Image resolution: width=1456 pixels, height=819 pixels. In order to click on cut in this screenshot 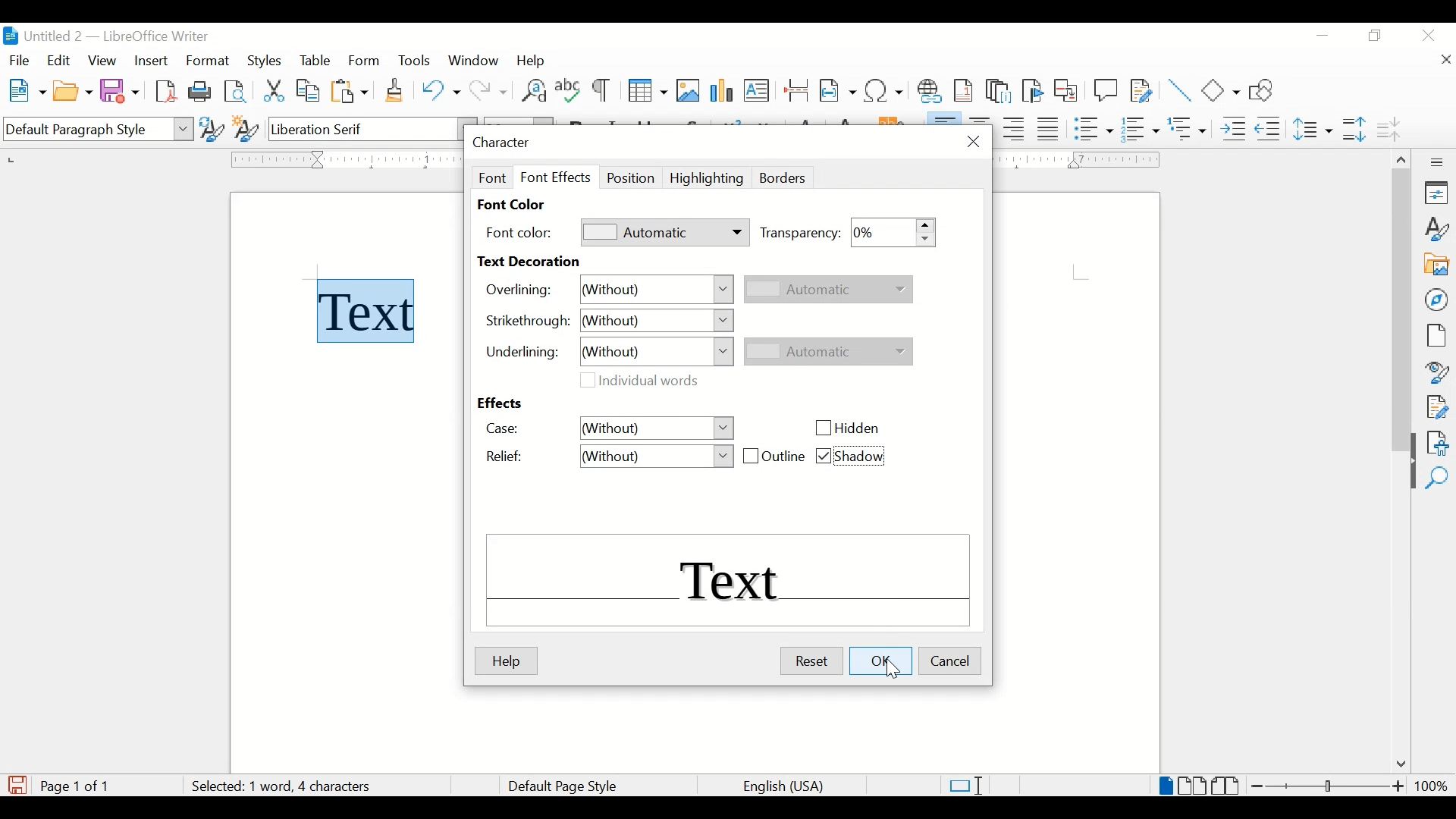, I will do `click(275, 90)`.